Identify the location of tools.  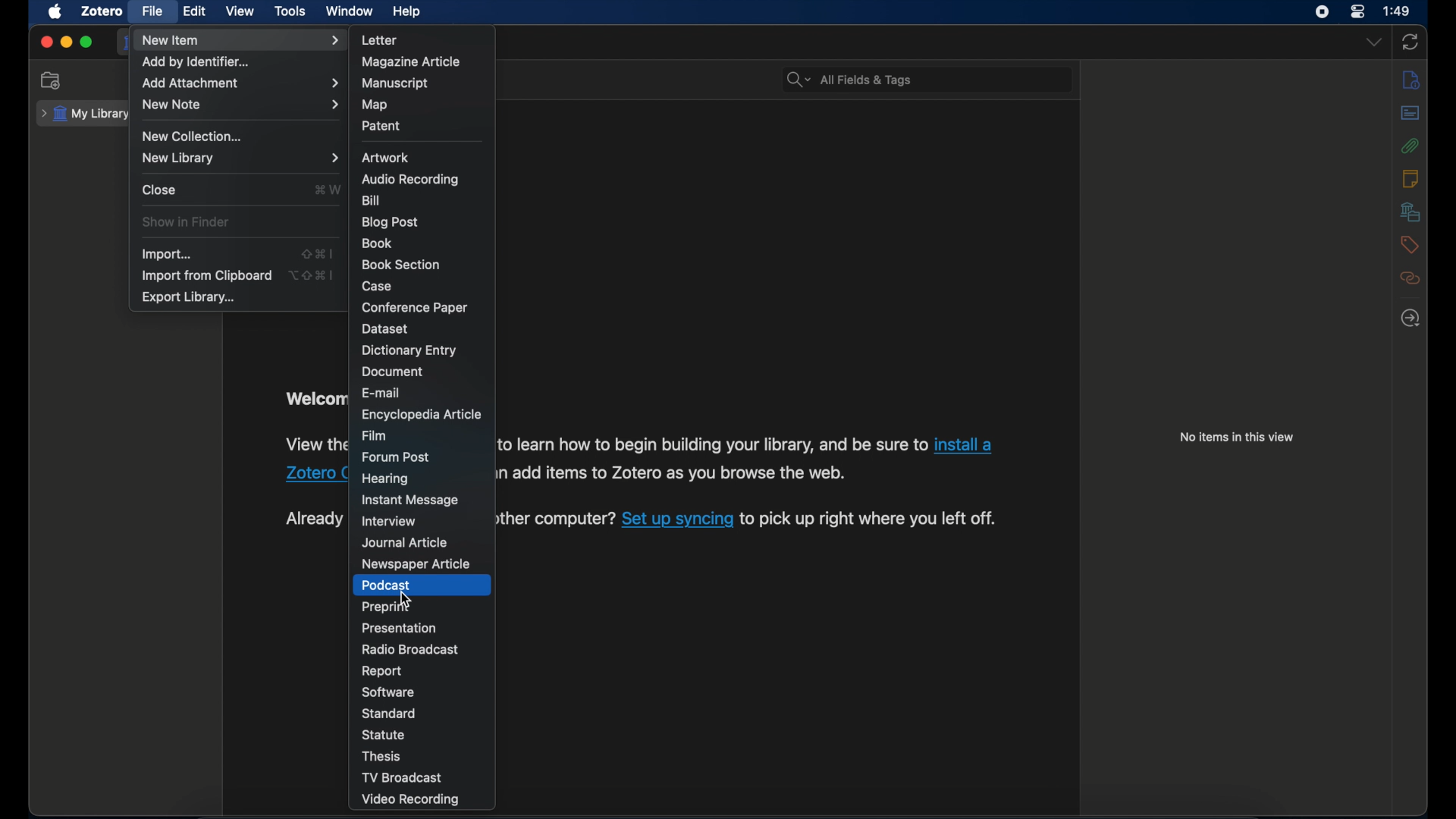
(291, 11).